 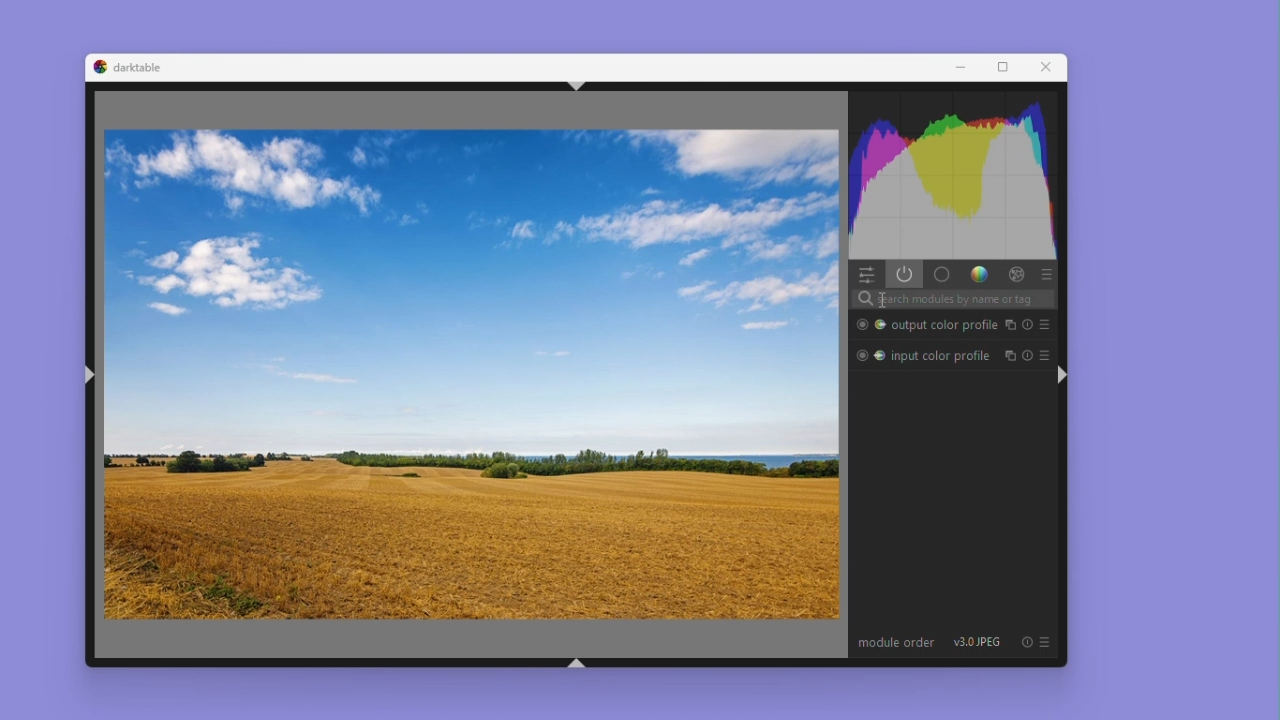 What do you see at coordinates (1009, 68) in the screenshot?
I see `Maximize` at bounding box center [1009, 68].